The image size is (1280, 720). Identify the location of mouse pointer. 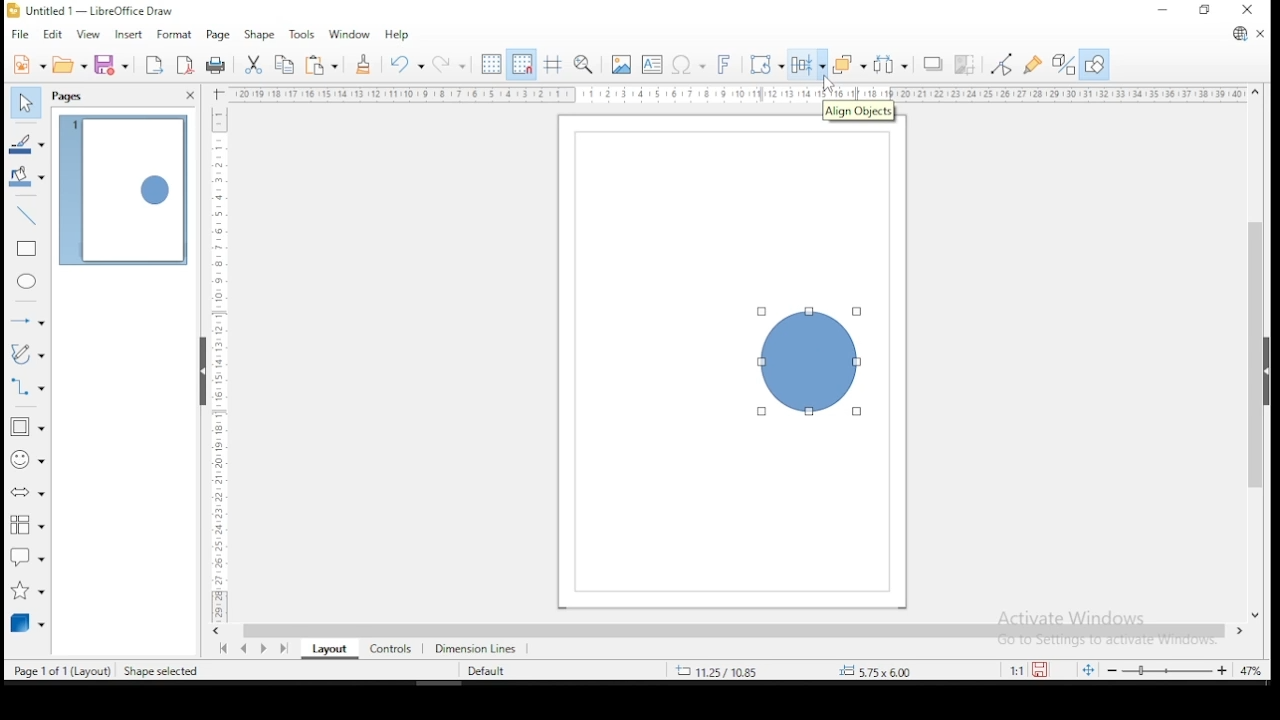
(827, 85).